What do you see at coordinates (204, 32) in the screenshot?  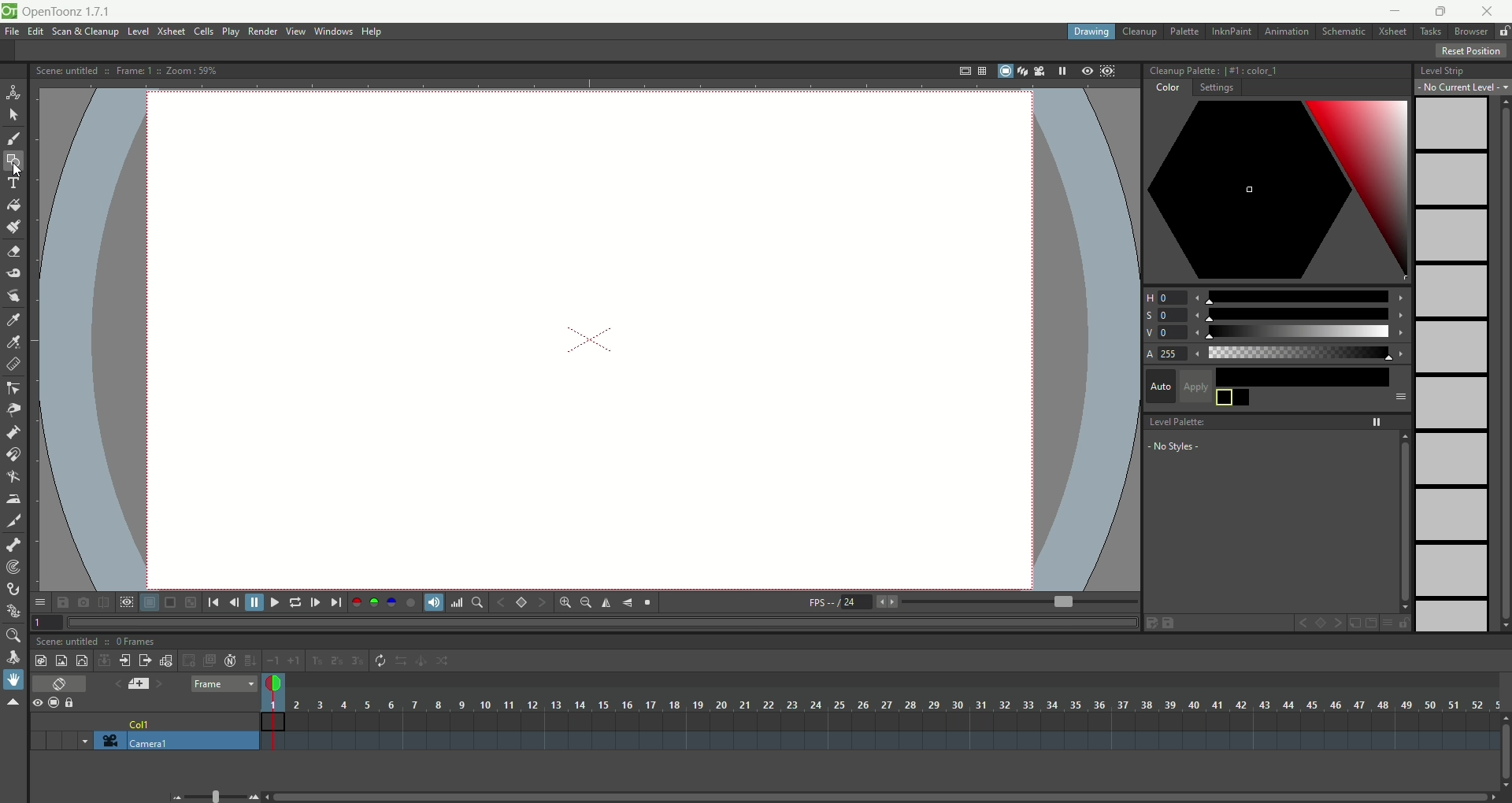 I see `cells` at bounding box center [204, 32].